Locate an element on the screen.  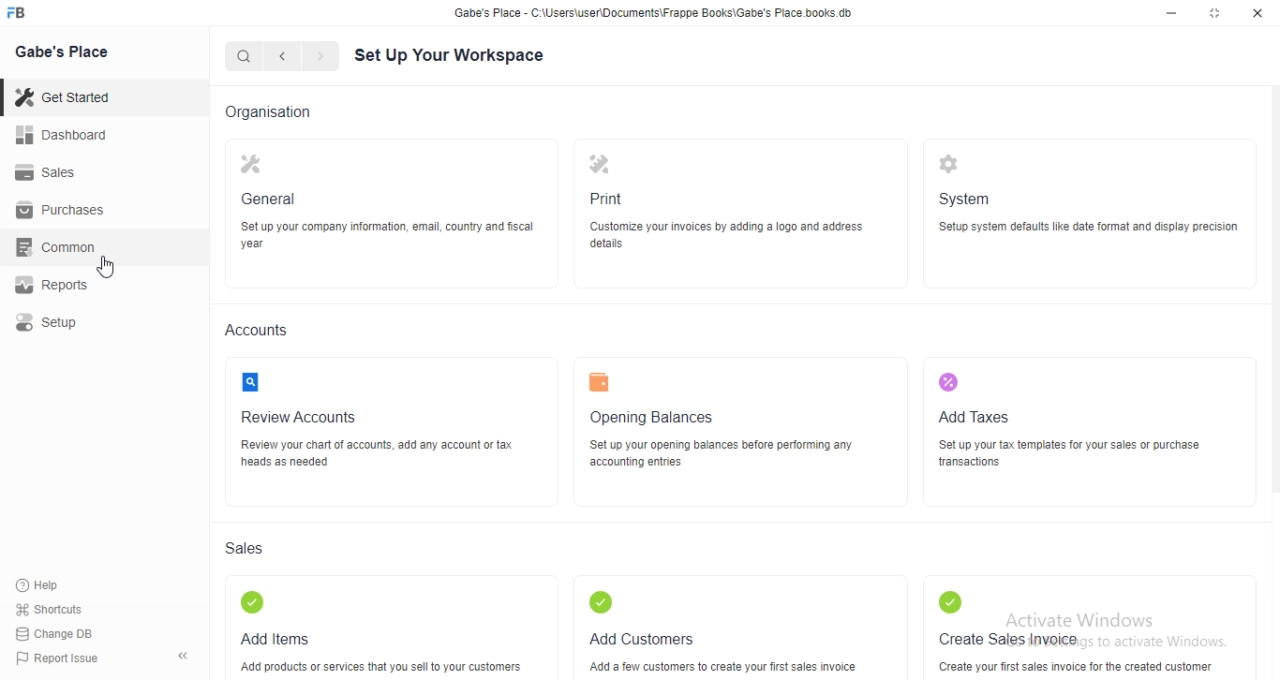
‘Add Customers is located at coordinates (643, 639).